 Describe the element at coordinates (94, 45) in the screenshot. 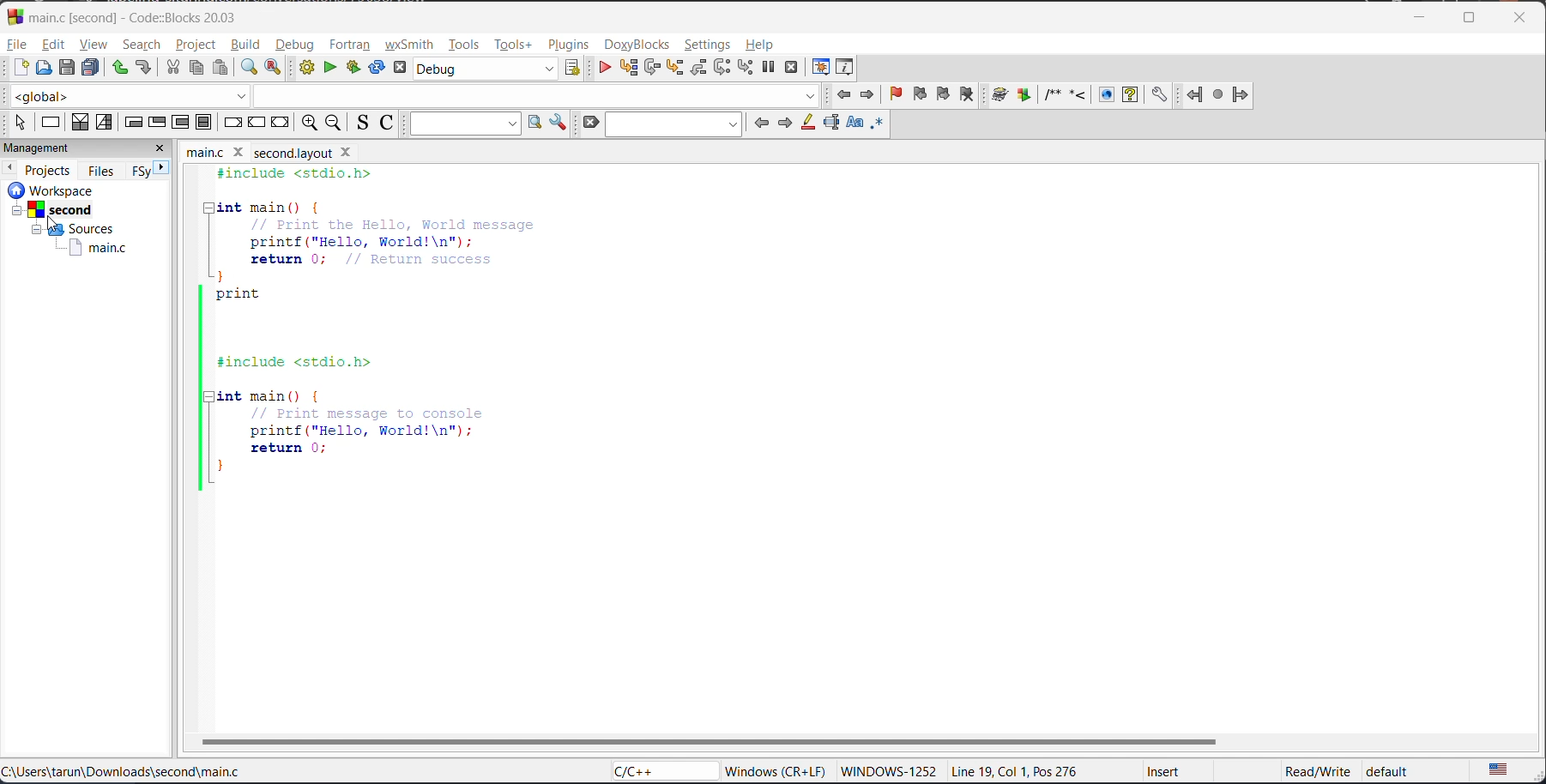

I see `view` at that location.